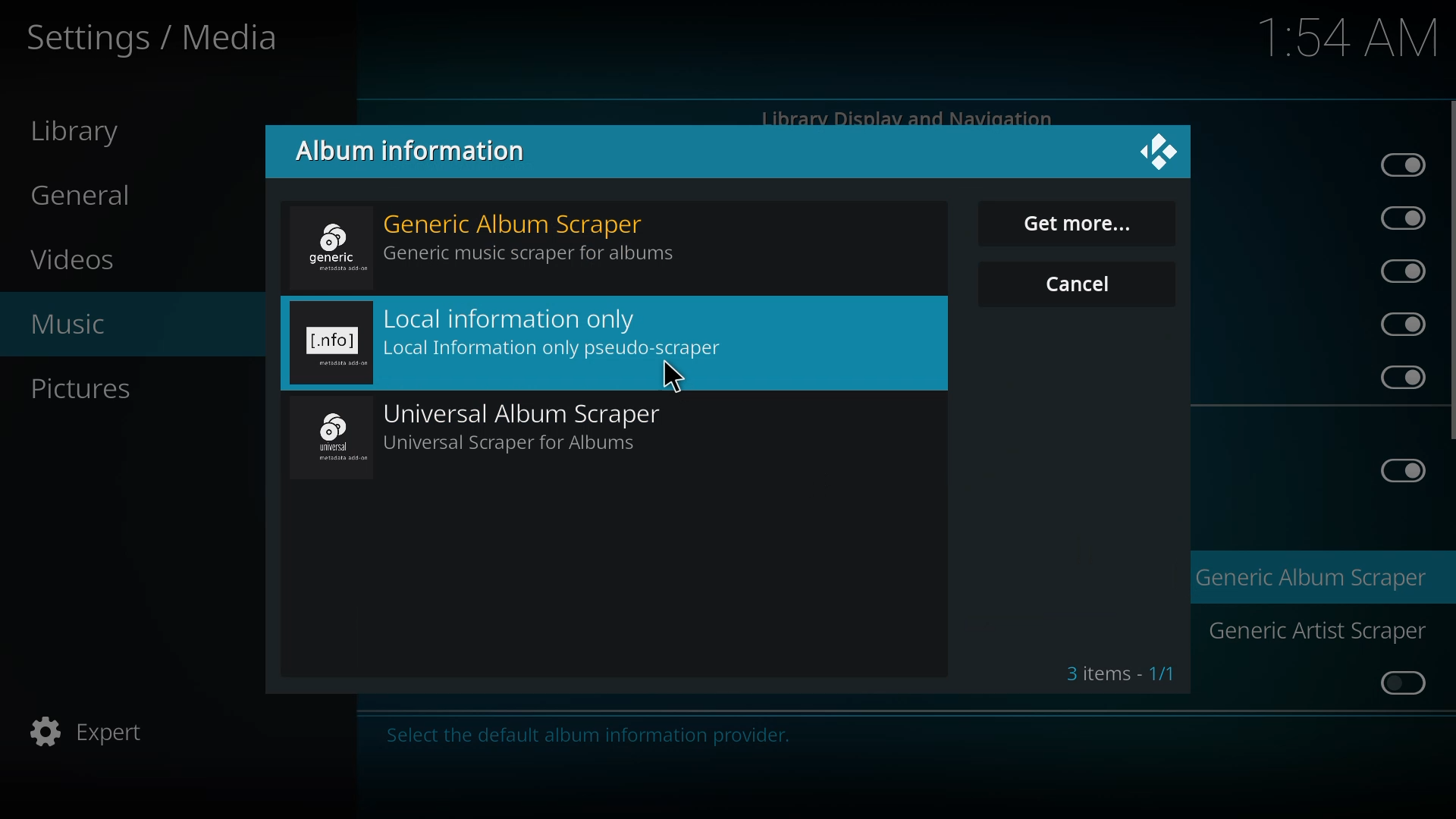 The height and width of the screenshot is (819, 1456). I want to click on generic, so click(1308, 580).